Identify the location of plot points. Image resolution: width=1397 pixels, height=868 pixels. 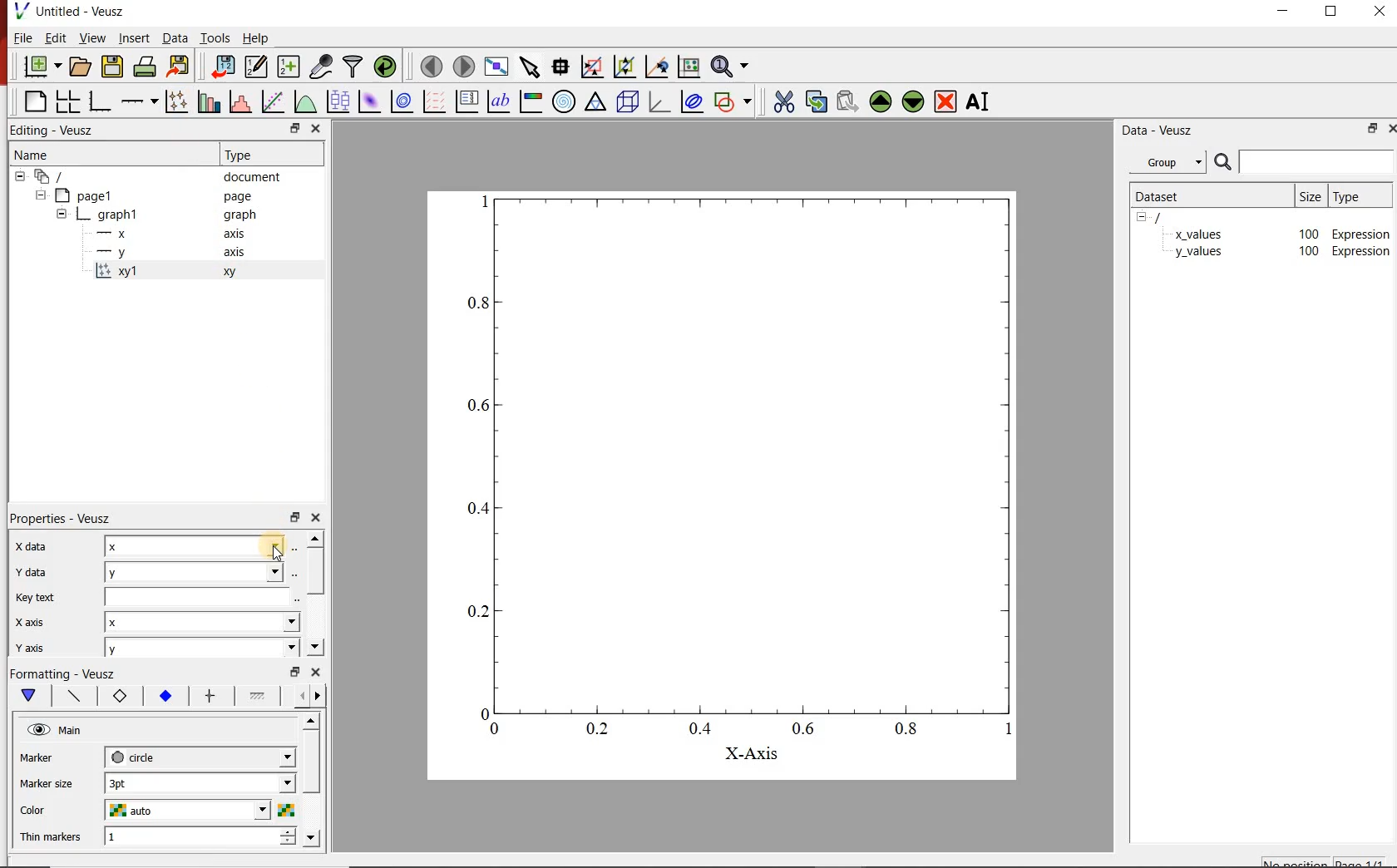
(175, 102).